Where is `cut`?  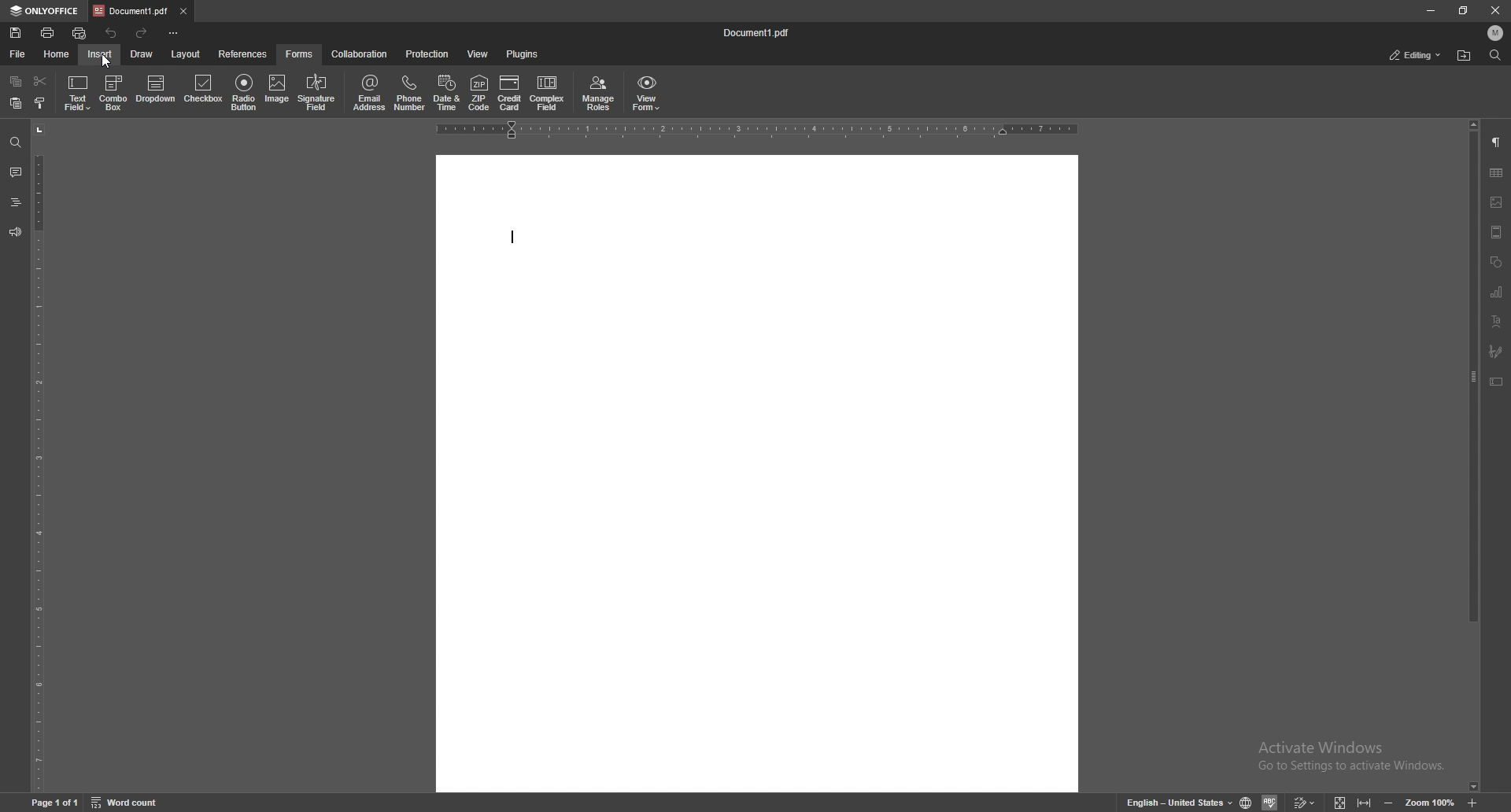
cut is located at coordinates (39, 80).